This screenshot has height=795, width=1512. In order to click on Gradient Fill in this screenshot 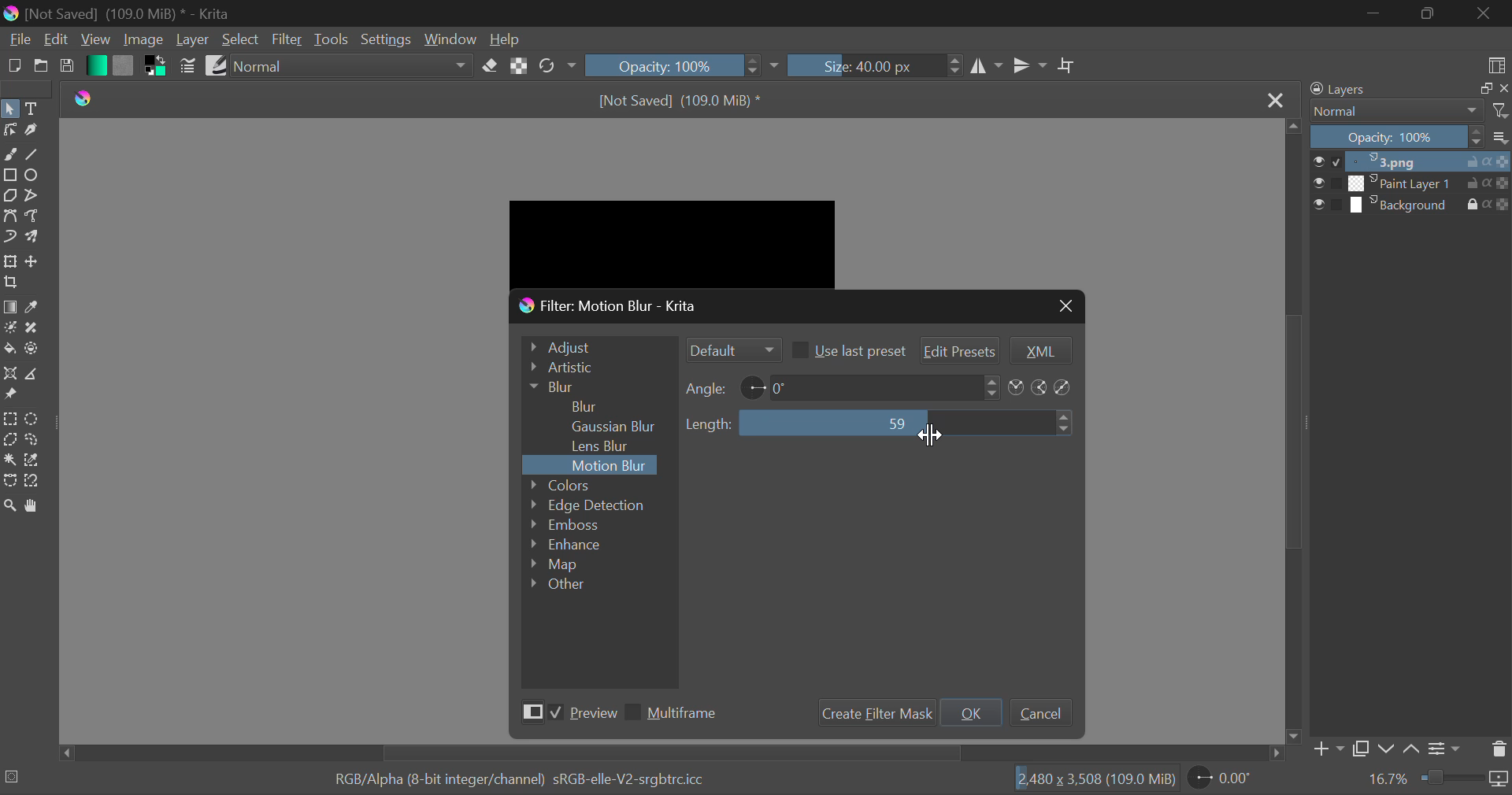, I will do `click(9, 307)`.